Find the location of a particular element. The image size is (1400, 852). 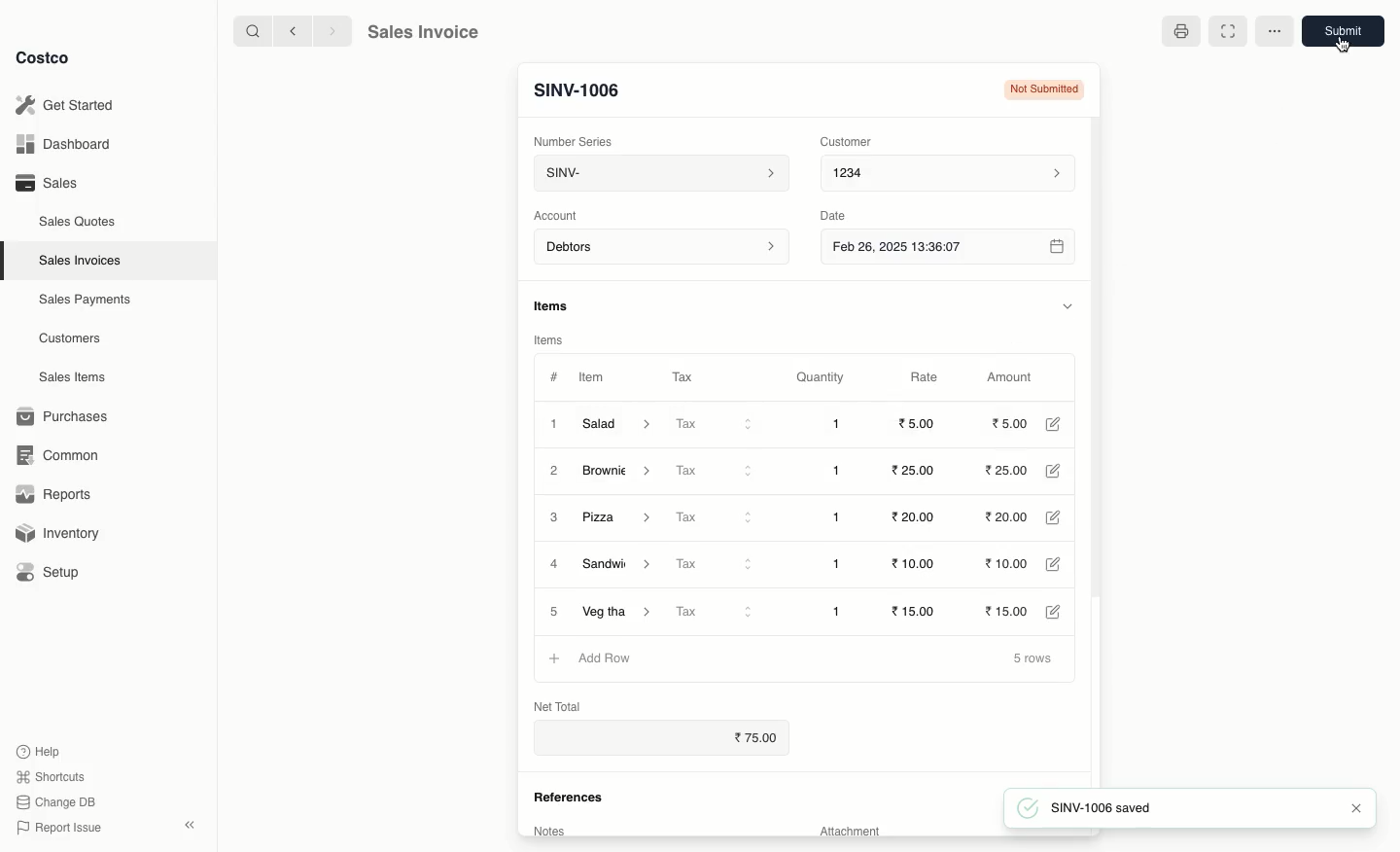

Tax is located at coordinates (704, 611).